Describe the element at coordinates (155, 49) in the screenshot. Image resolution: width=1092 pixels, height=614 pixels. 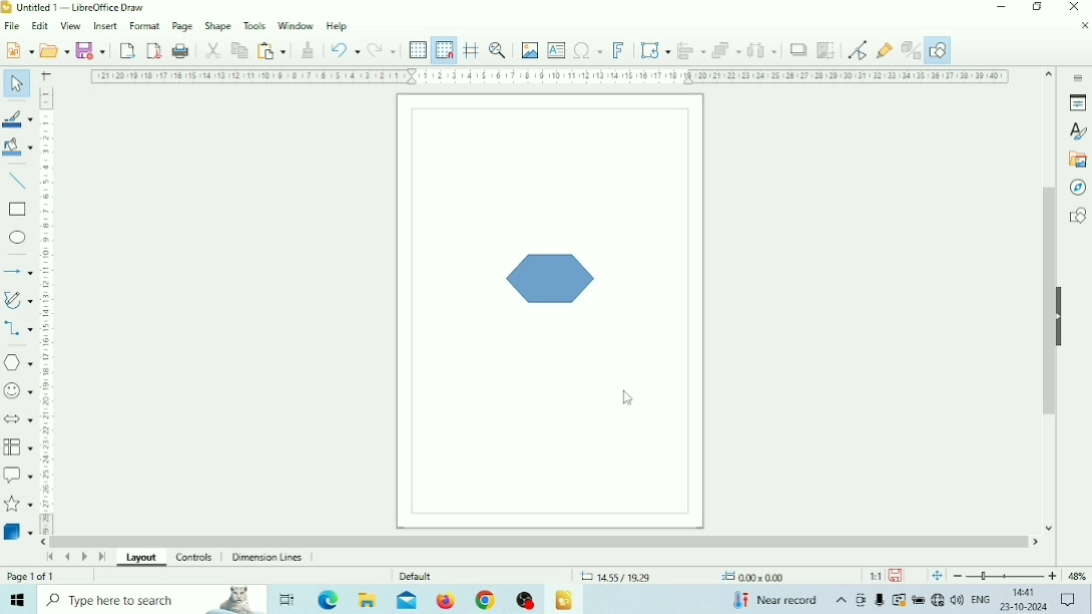
I see `Export directly as PDF` at that location.